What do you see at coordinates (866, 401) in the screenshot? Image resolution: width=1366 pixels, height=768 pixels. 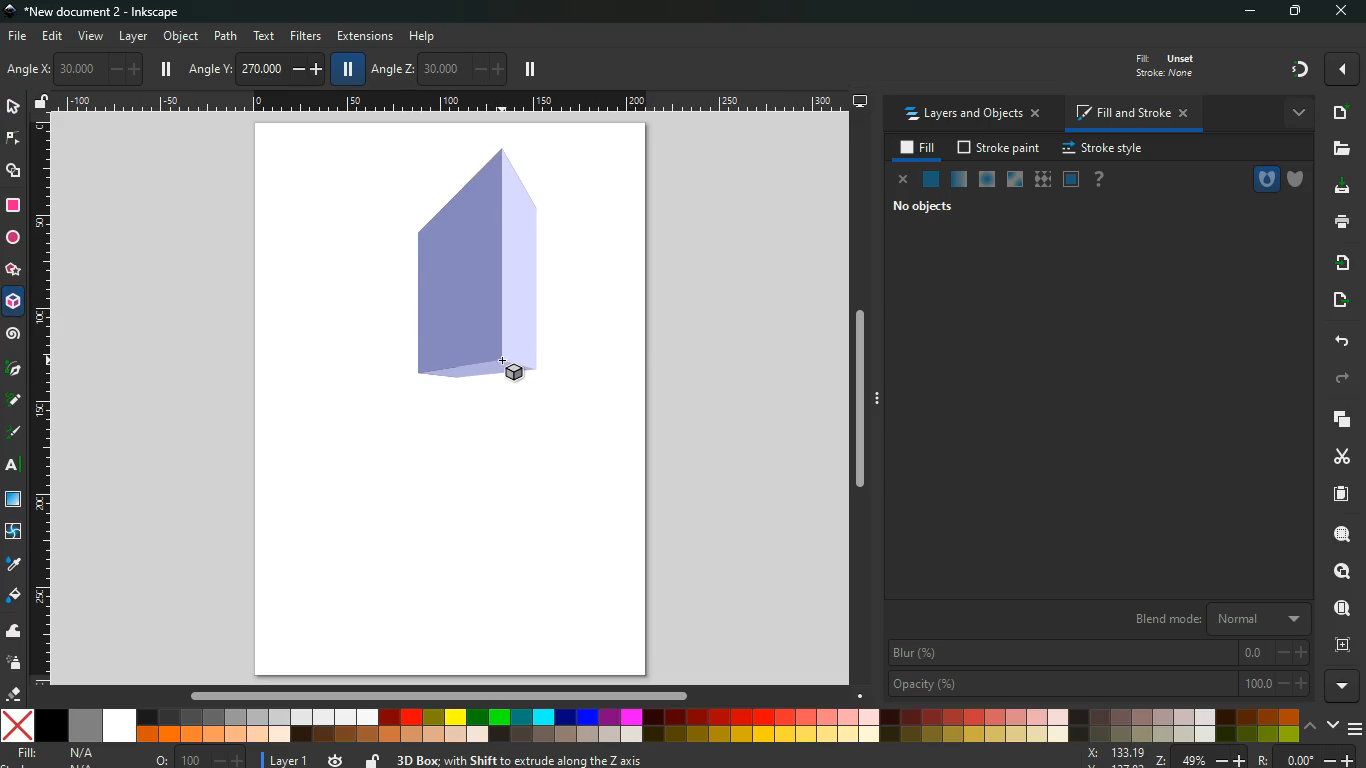 I see `Scroll bar` at bounding box center [866, 401].